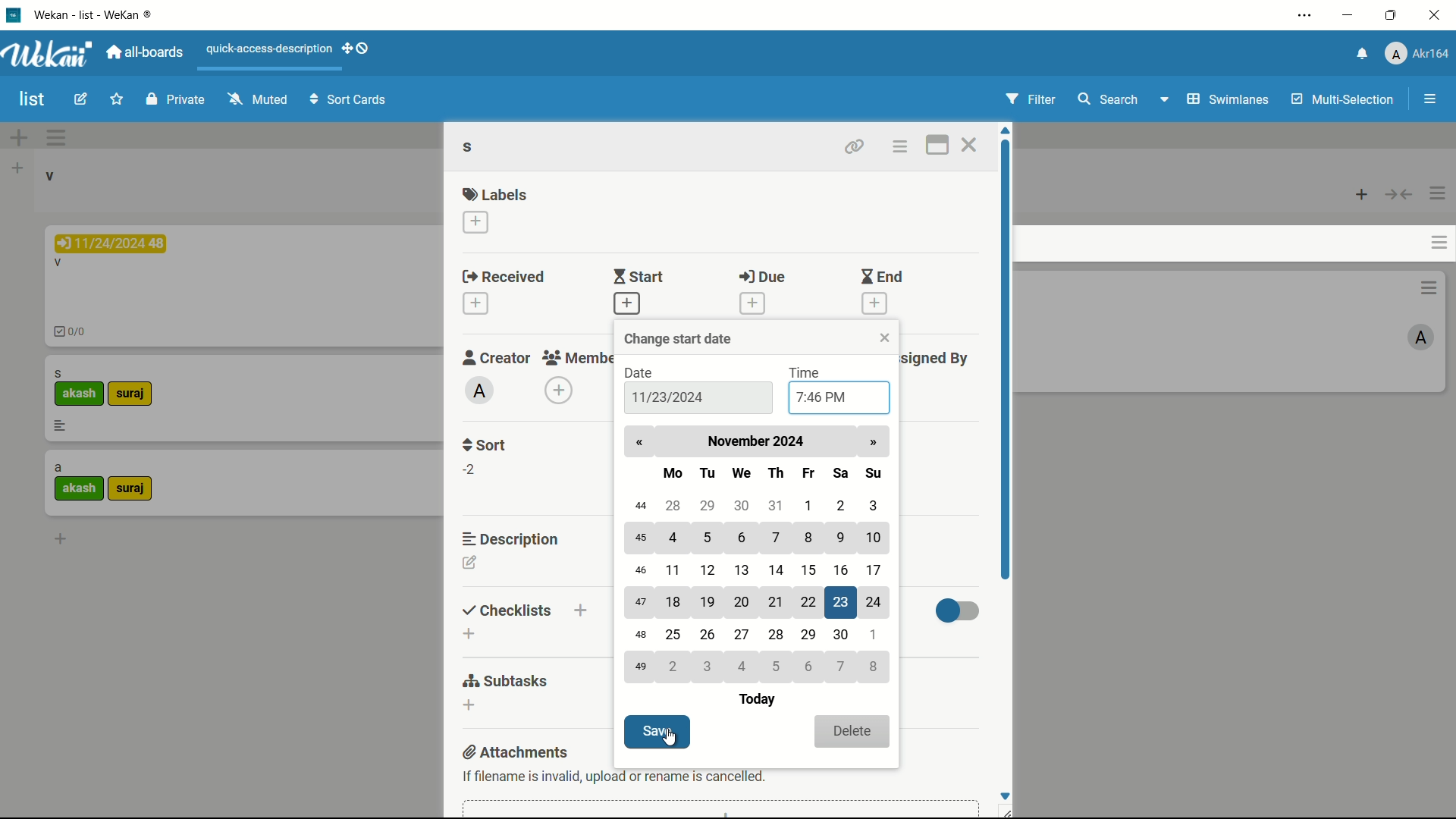 The height and width of the screenshot is (819, 1456). I want to click on checklists, so click(507, 611).